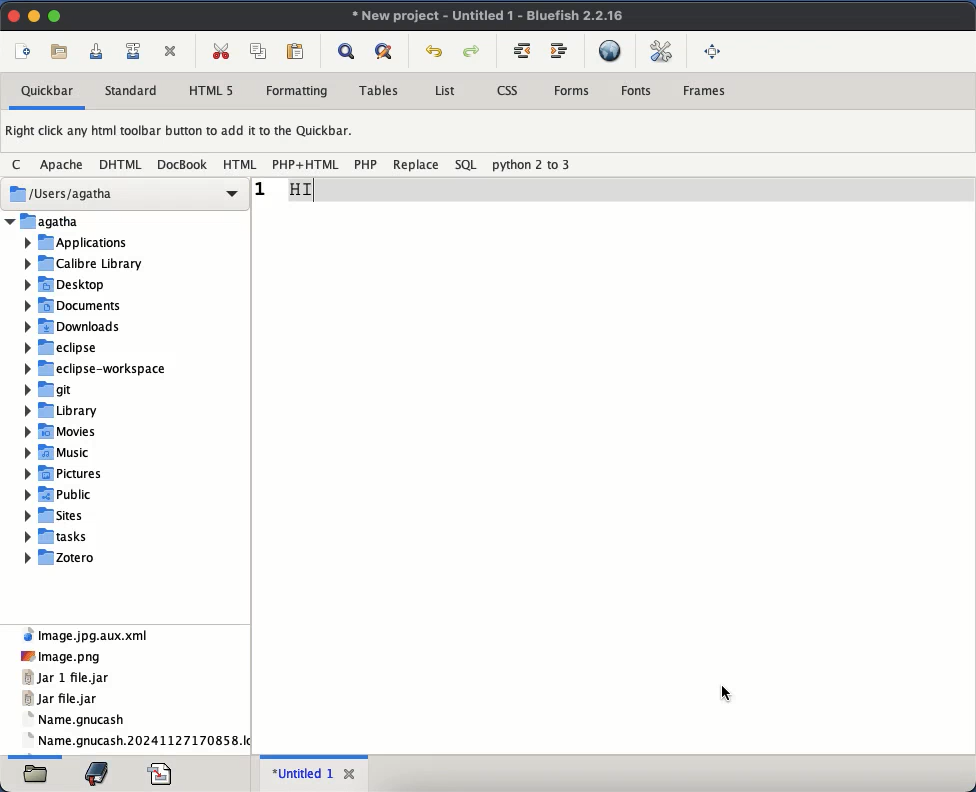 Image resolution: width=976 pixels, height=792 pixels. What do you see at coordinates (473, 51) in the screenshot?
I see `redo` at bounding box center [473, 51].